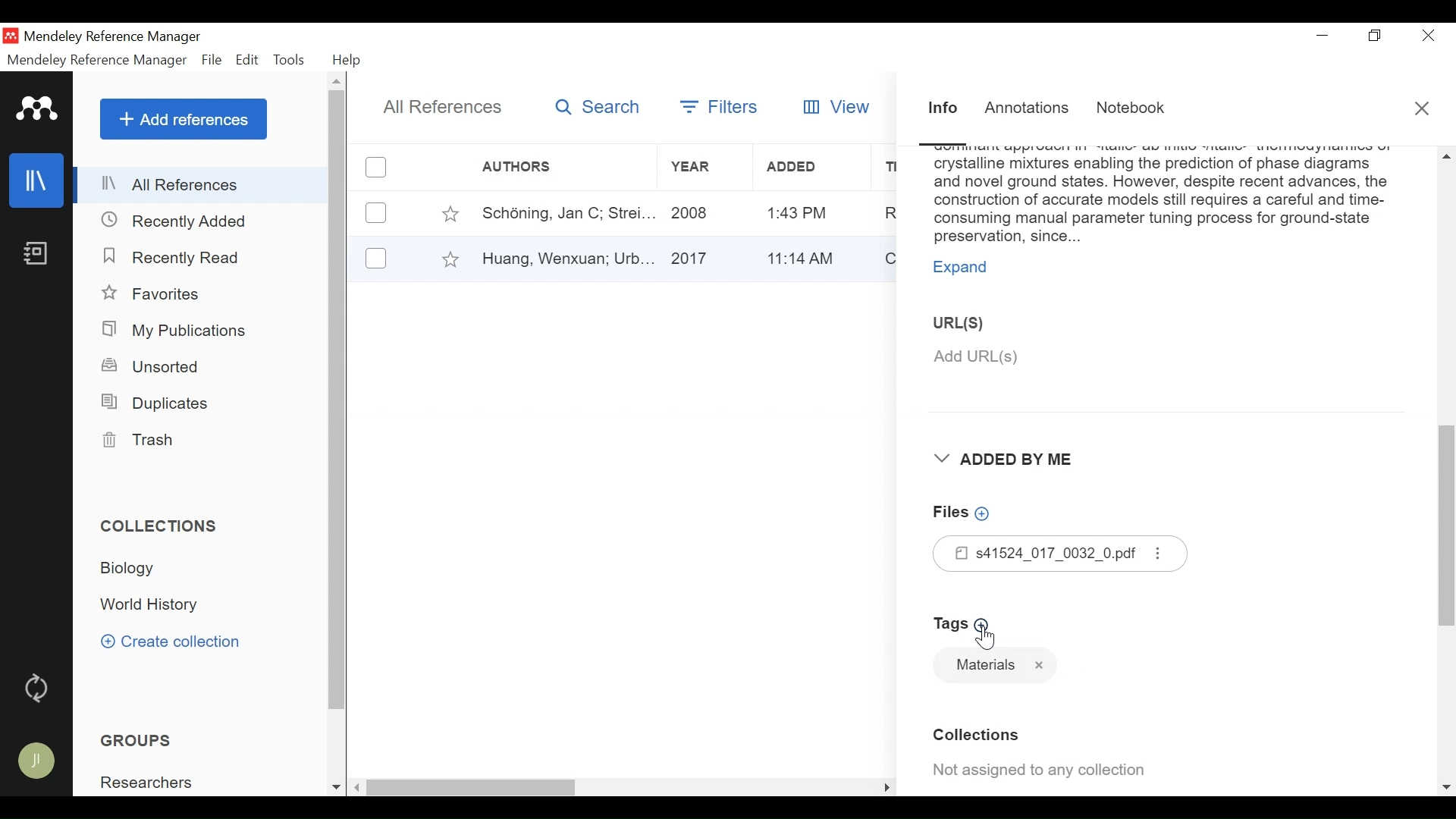 Image resolution: width=1456 pixels, height=819 pixels. What do you see at coordinates (184, 119) in the screenshot?
I see `Add References` at bounding box center [184, 119].